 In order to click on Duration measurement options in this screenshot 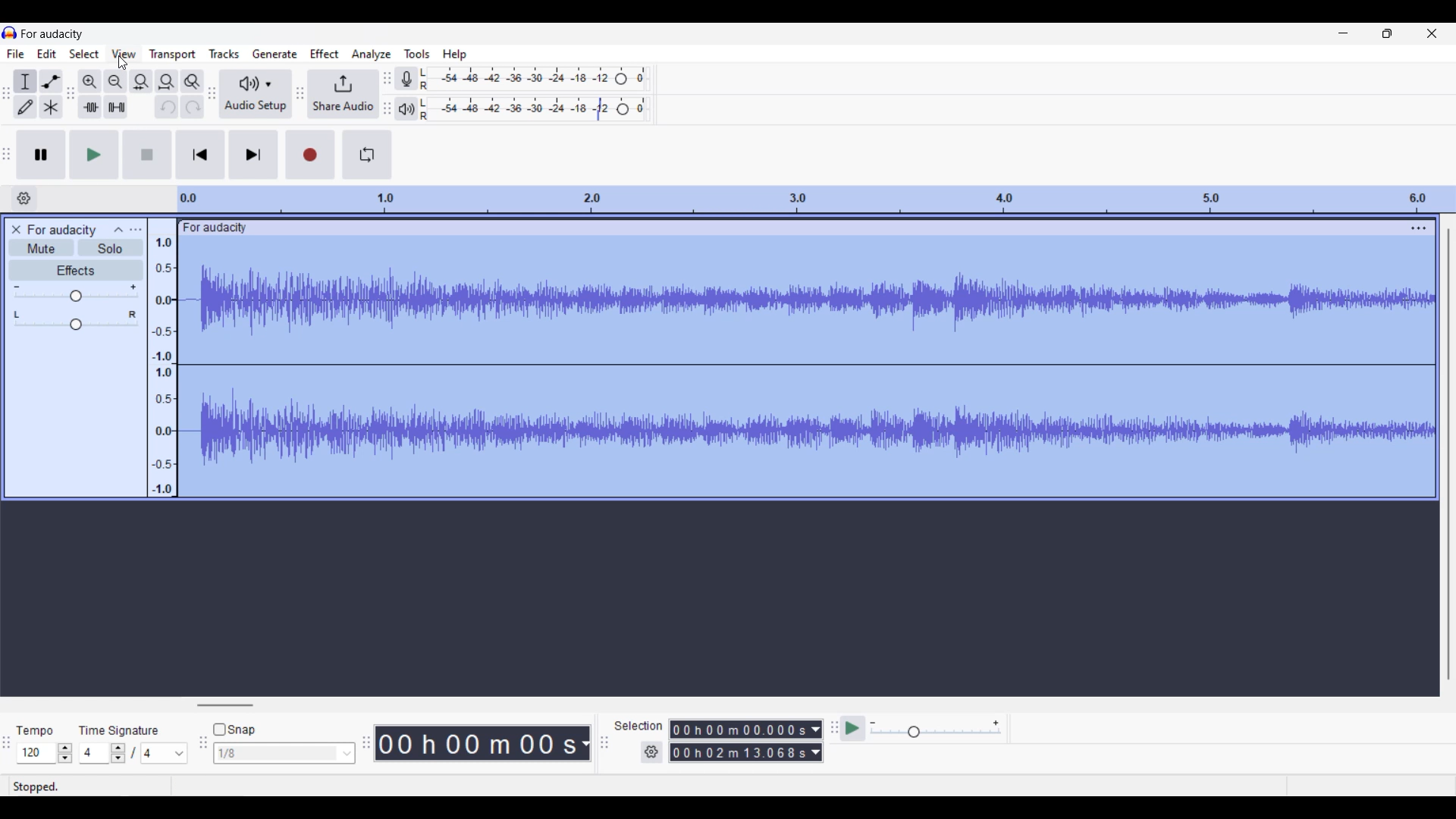, I will do `click(817, 742)`.